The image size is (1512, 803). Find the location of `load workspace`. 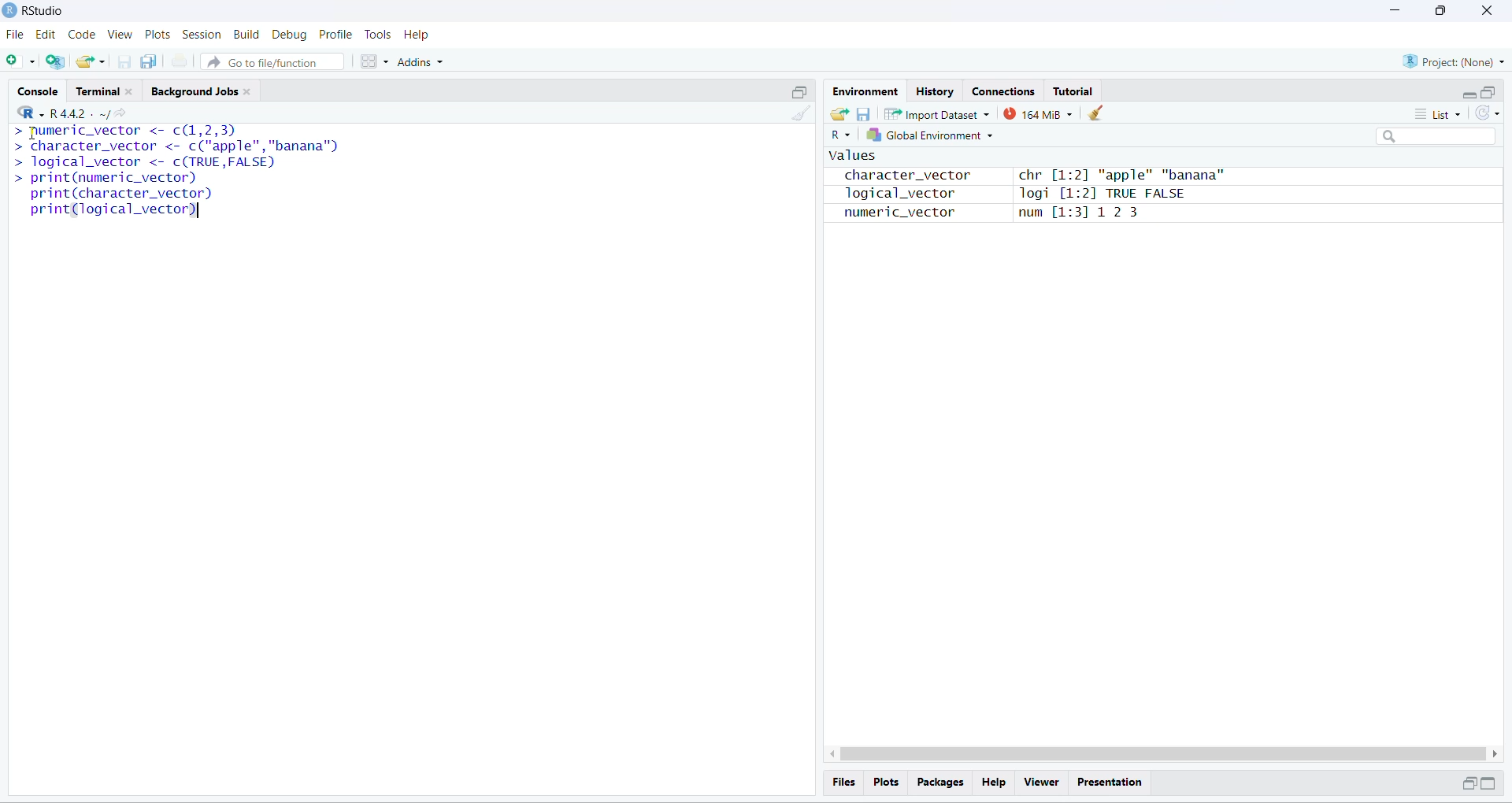

load workspace is located at coordinates (838, 113).